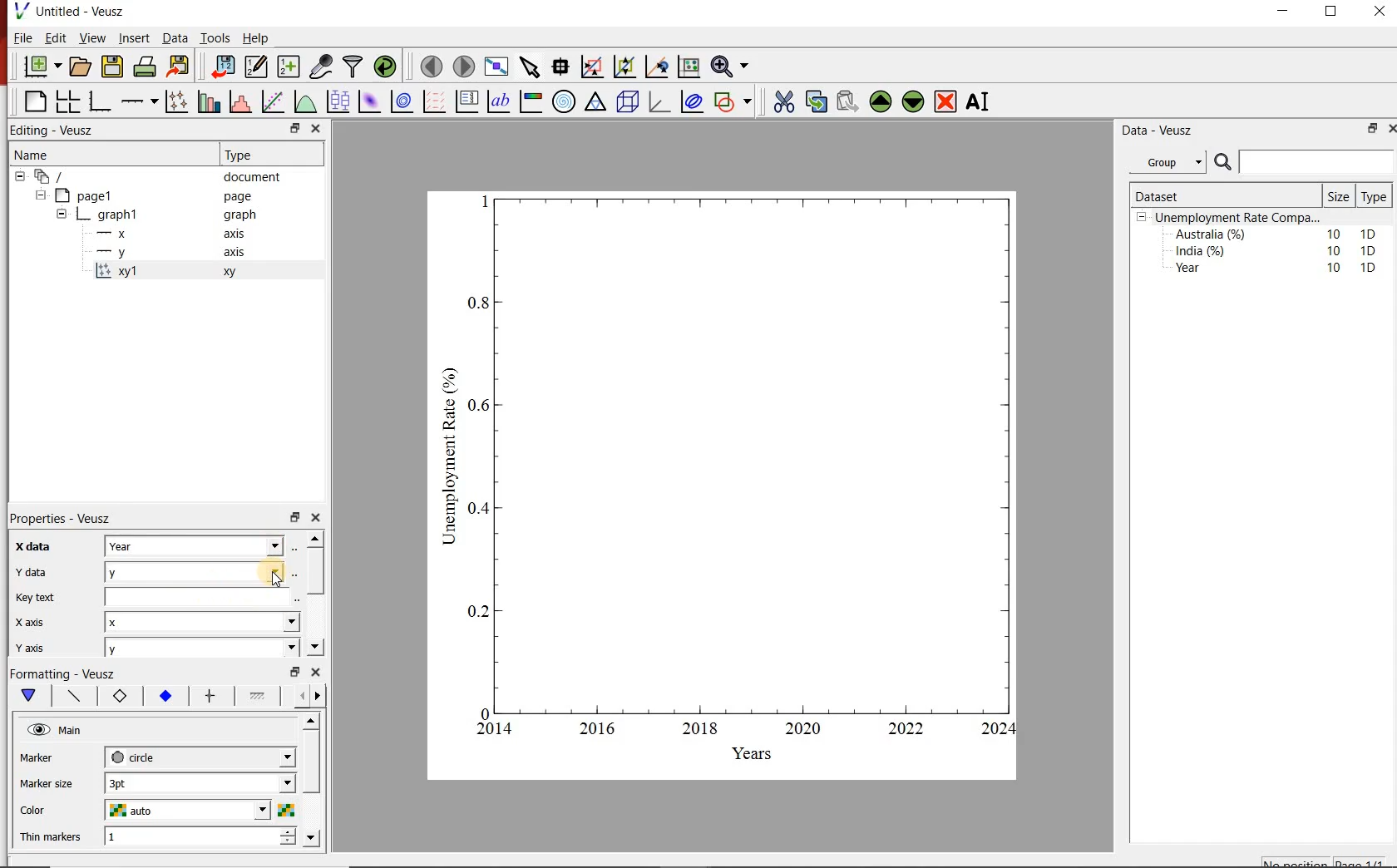 Image resolution: width=1397 pixels, height=868 pixels. Describe the element at coordinates (288, 845) in the screenshot. I see `decrease` at that location.